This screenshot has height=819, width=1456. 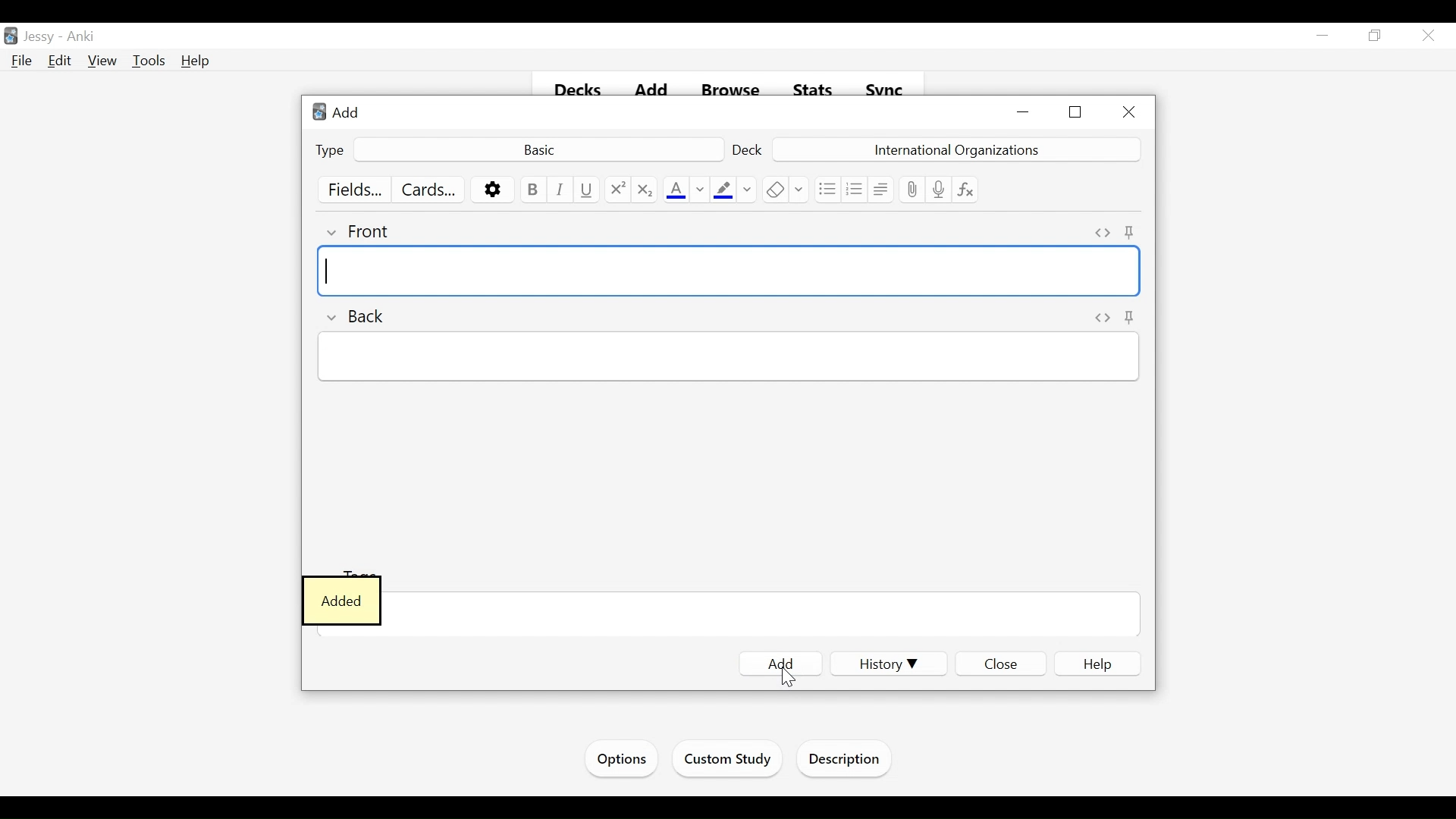 What do you see at coordinates (1132, 232) in the screenshot?
I see `Toggle sticky` at bounding box center [1132, 232].